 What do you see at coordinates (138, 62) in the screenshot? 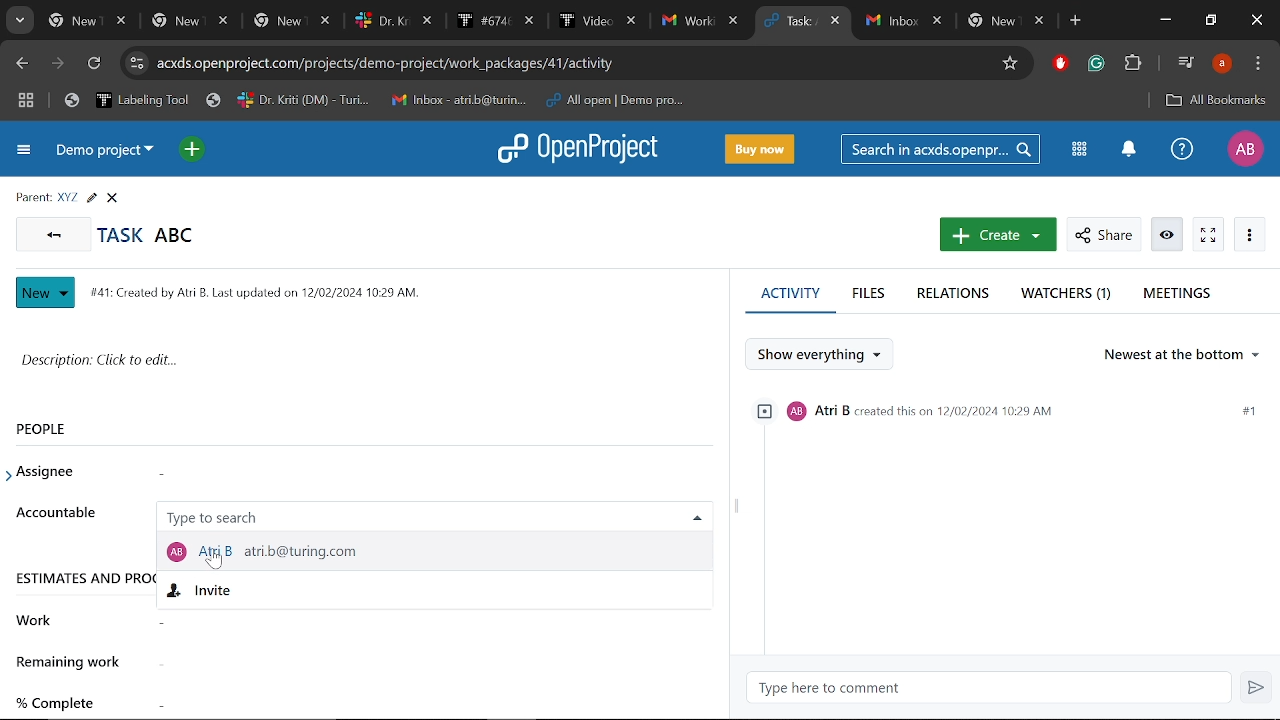
I see `cite info` at bounding box center [138, 62].